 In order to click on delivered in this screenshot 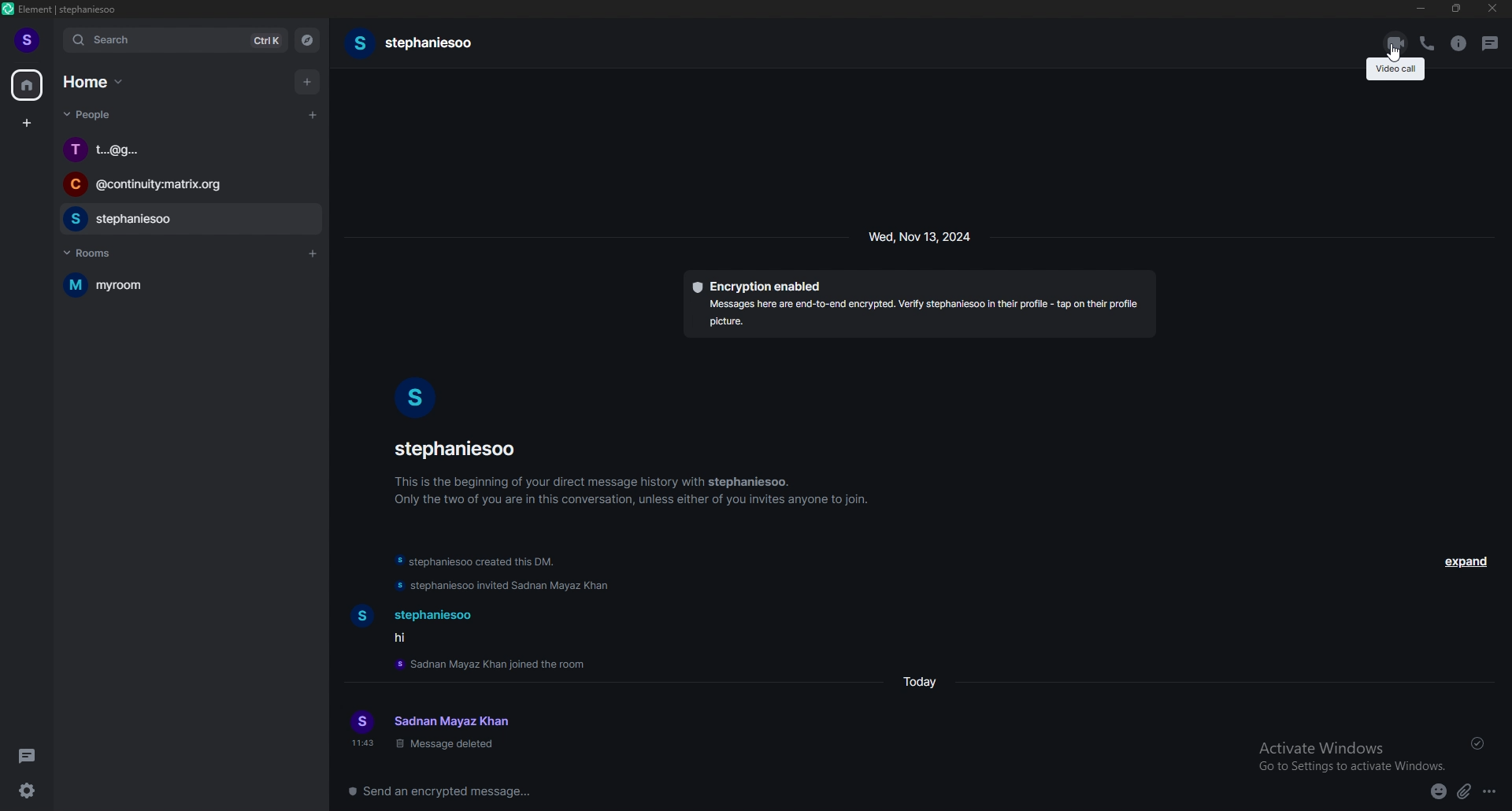, I will do `click(1478, 744)`.